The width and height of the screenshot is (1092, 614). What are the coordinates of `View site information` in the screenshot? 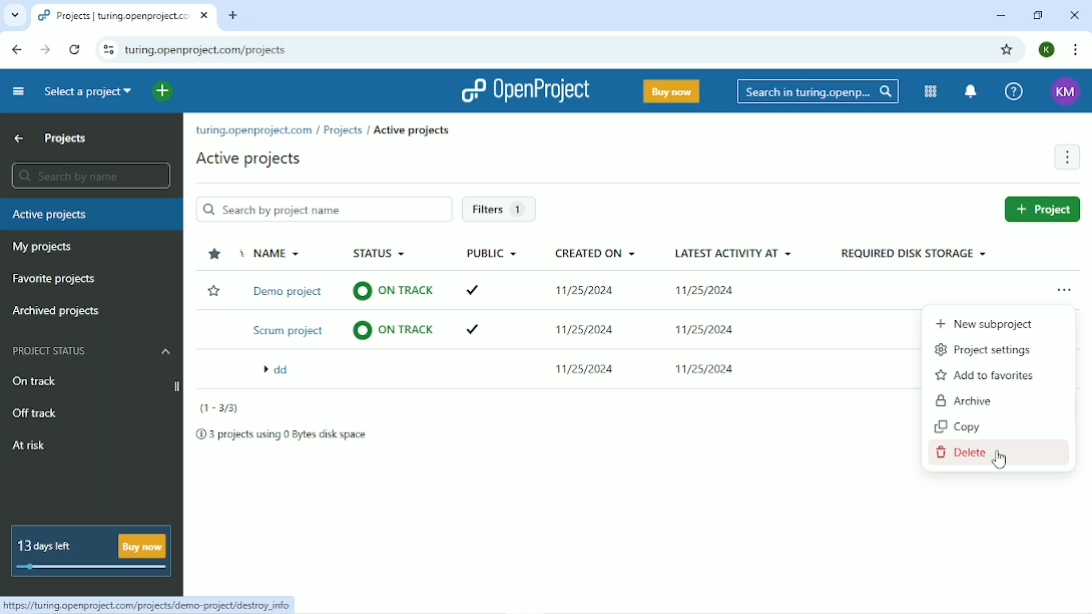 It's located at (108, 48).